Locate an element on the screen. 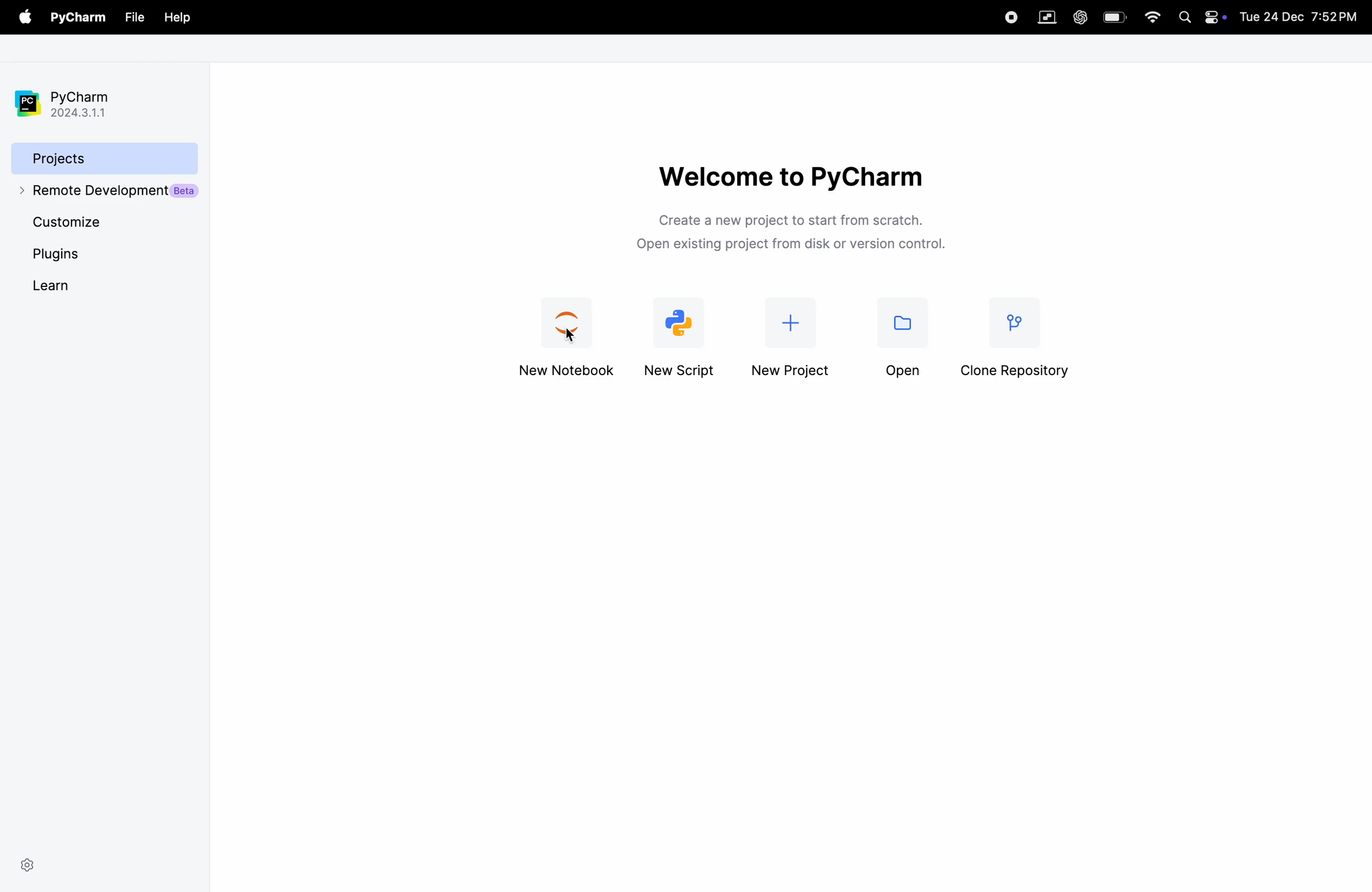 The height and width of the screenshot is (892, 1372). settings is located at coordinates (24, 868).